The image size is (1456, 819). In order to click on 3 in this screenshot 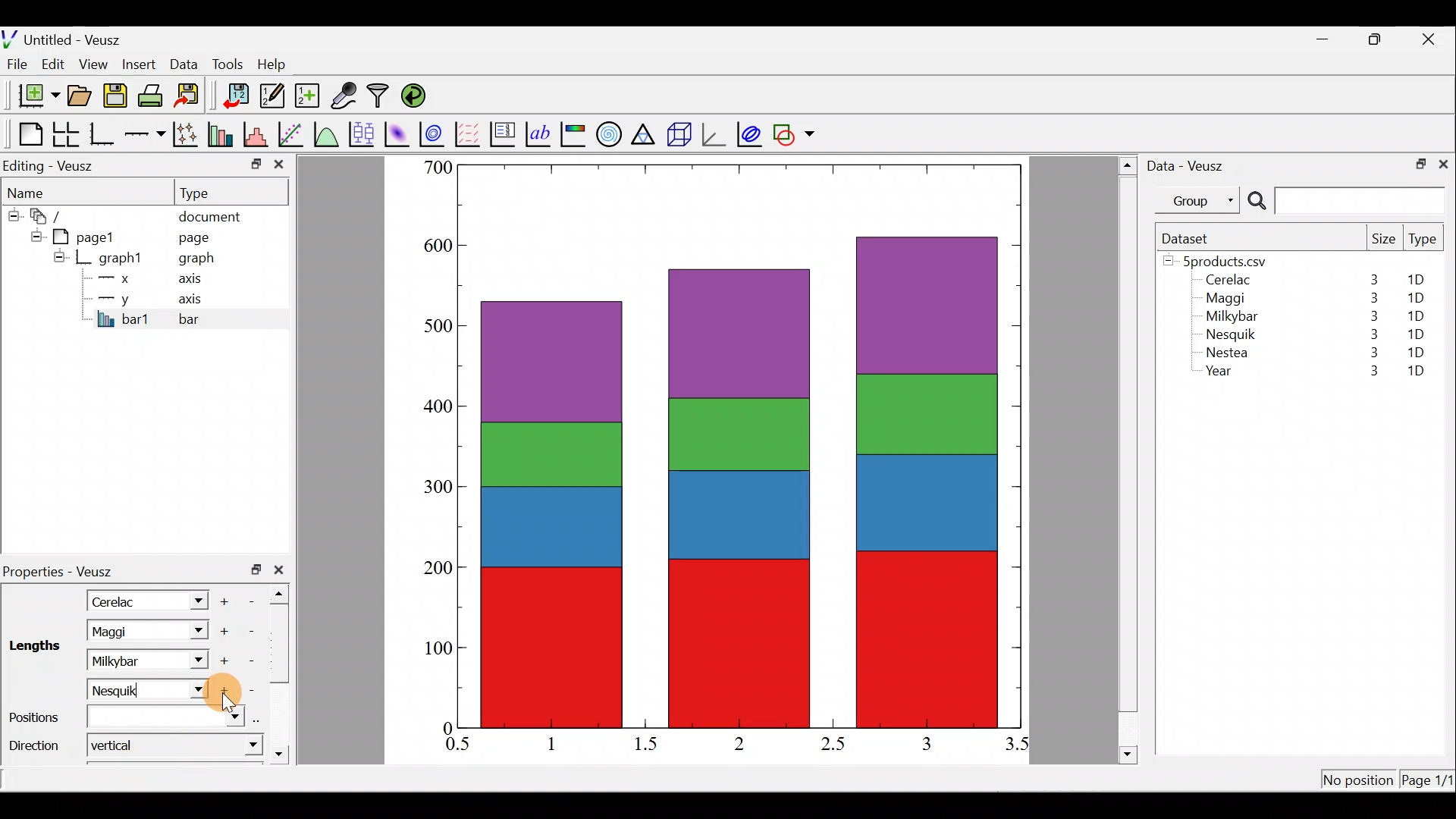, I will do `click(925, 743)`.